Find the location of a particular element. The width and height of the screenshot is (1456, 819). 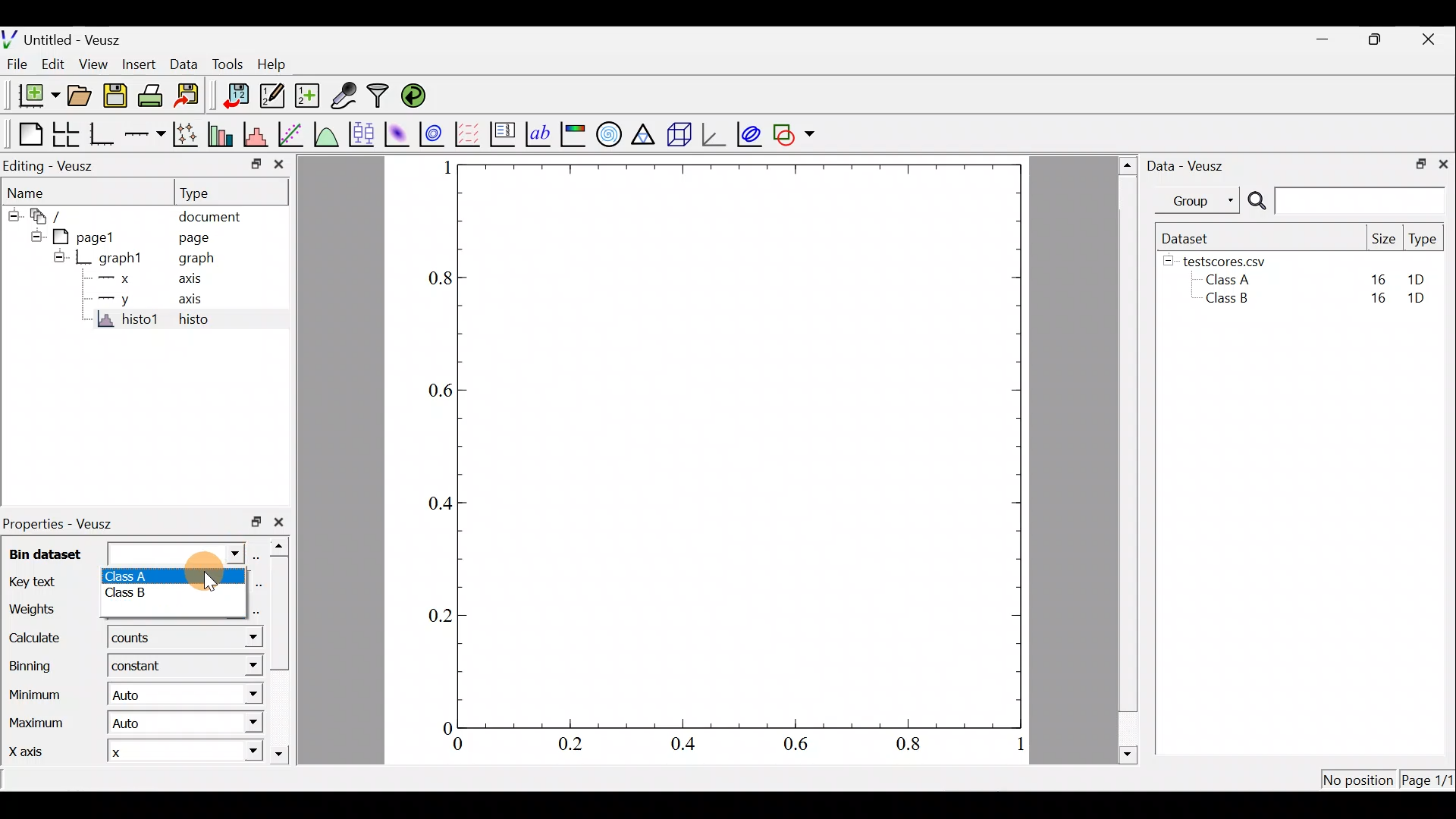

testscores.csv is located at coordinates (1233, 261).